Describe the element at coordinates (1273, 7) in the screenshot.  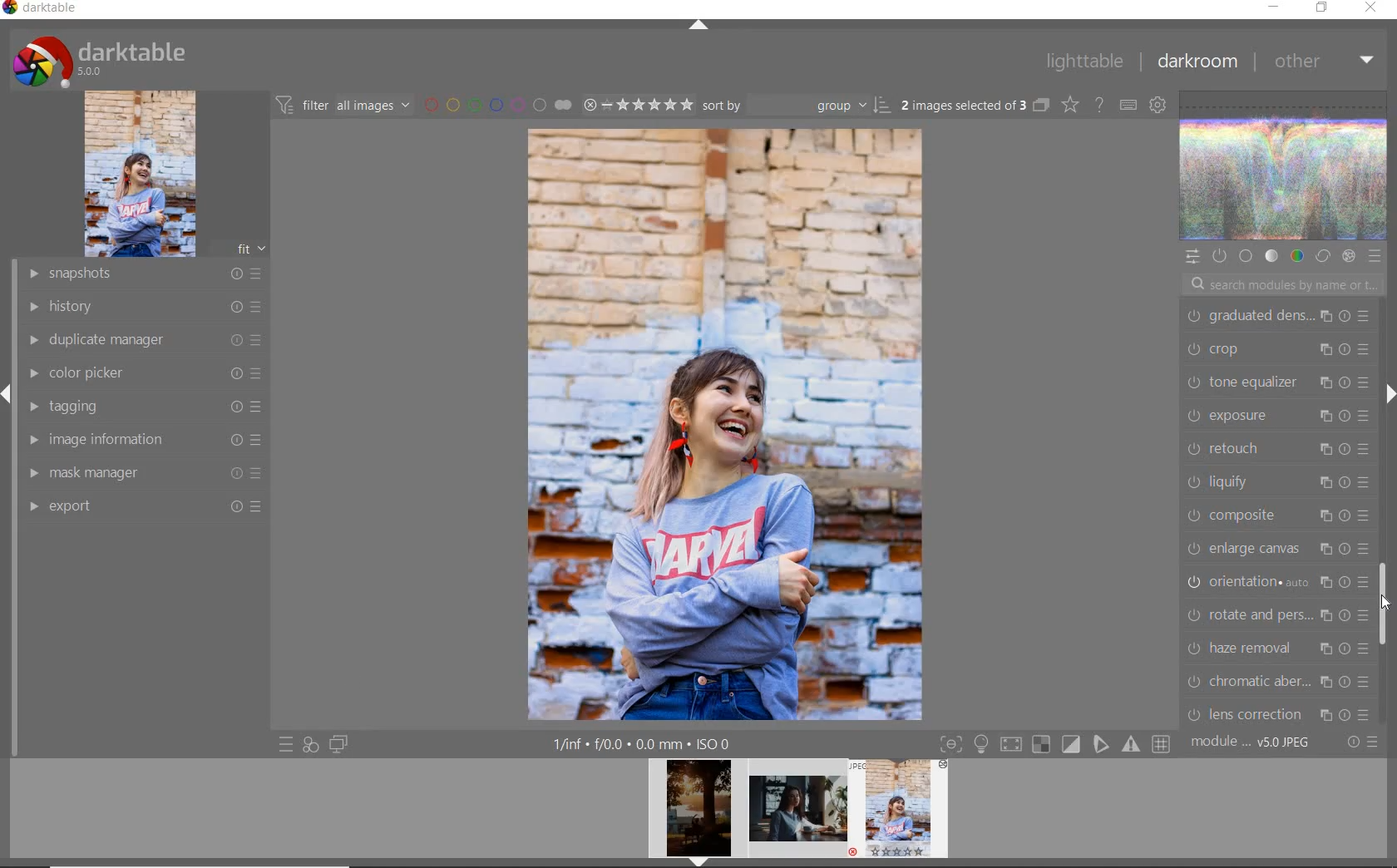
I see `MINIMIZE` at that location.